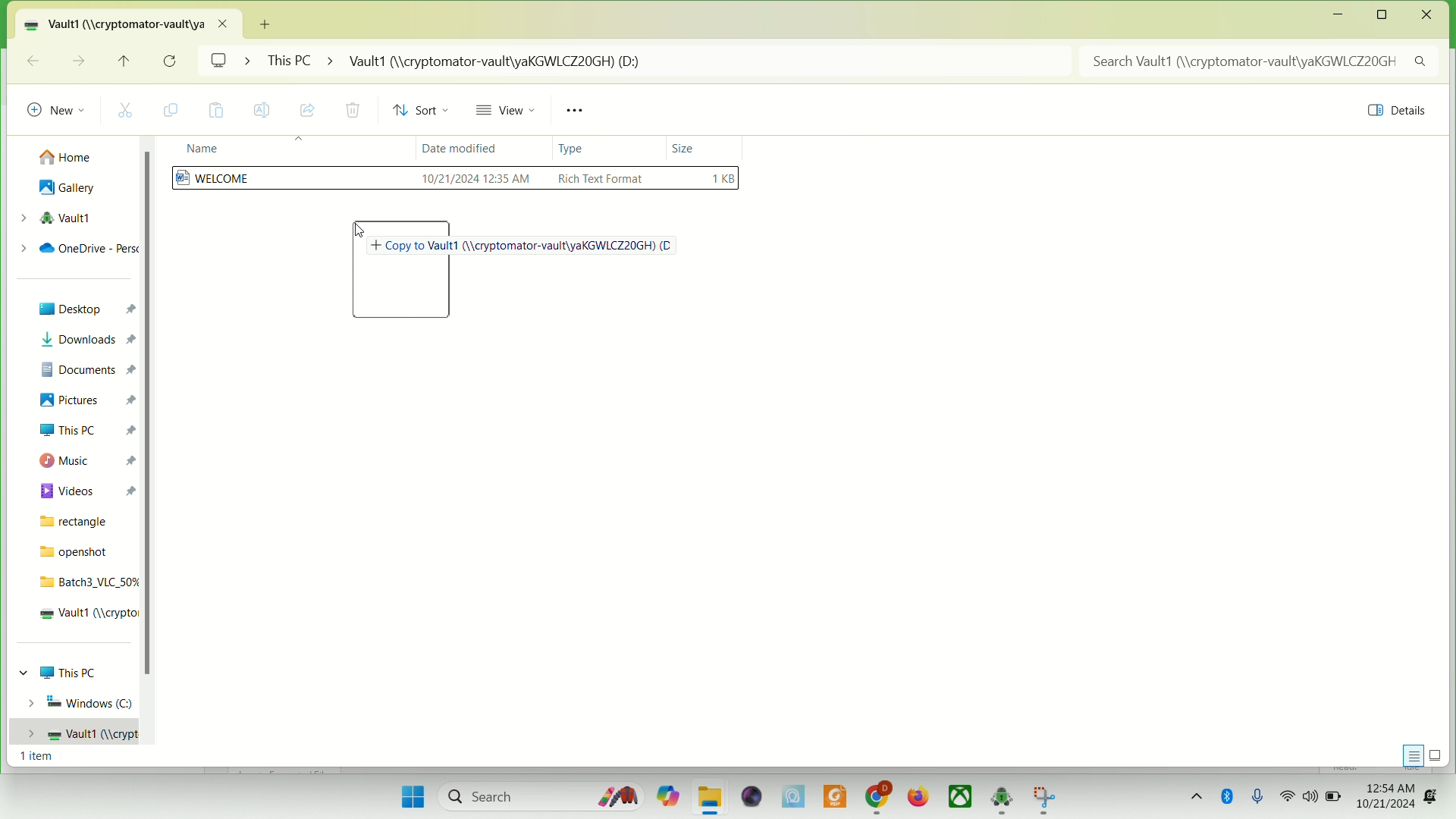 This screenshot has height=819, width=1456. What do you see at coordinates (519, 243) in the screenshot?
I see `Copy to Vault1 (//cryptomator-vault/yaKGWLCZ20GH)` at bounding box center [519, 243].